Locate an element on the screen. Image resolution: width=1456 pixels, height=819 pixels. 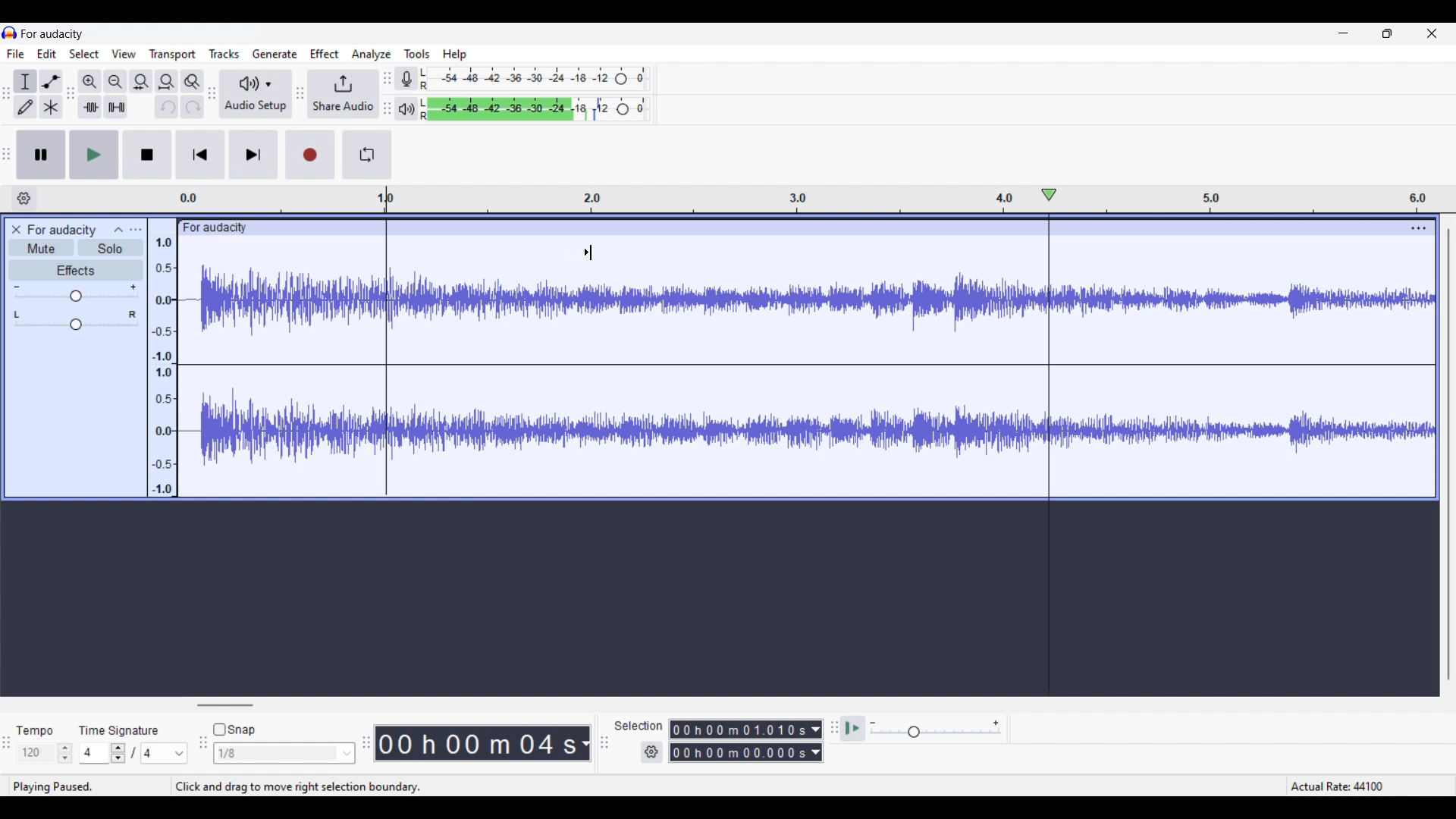
Minimize is located at coordinates (1344, 33).